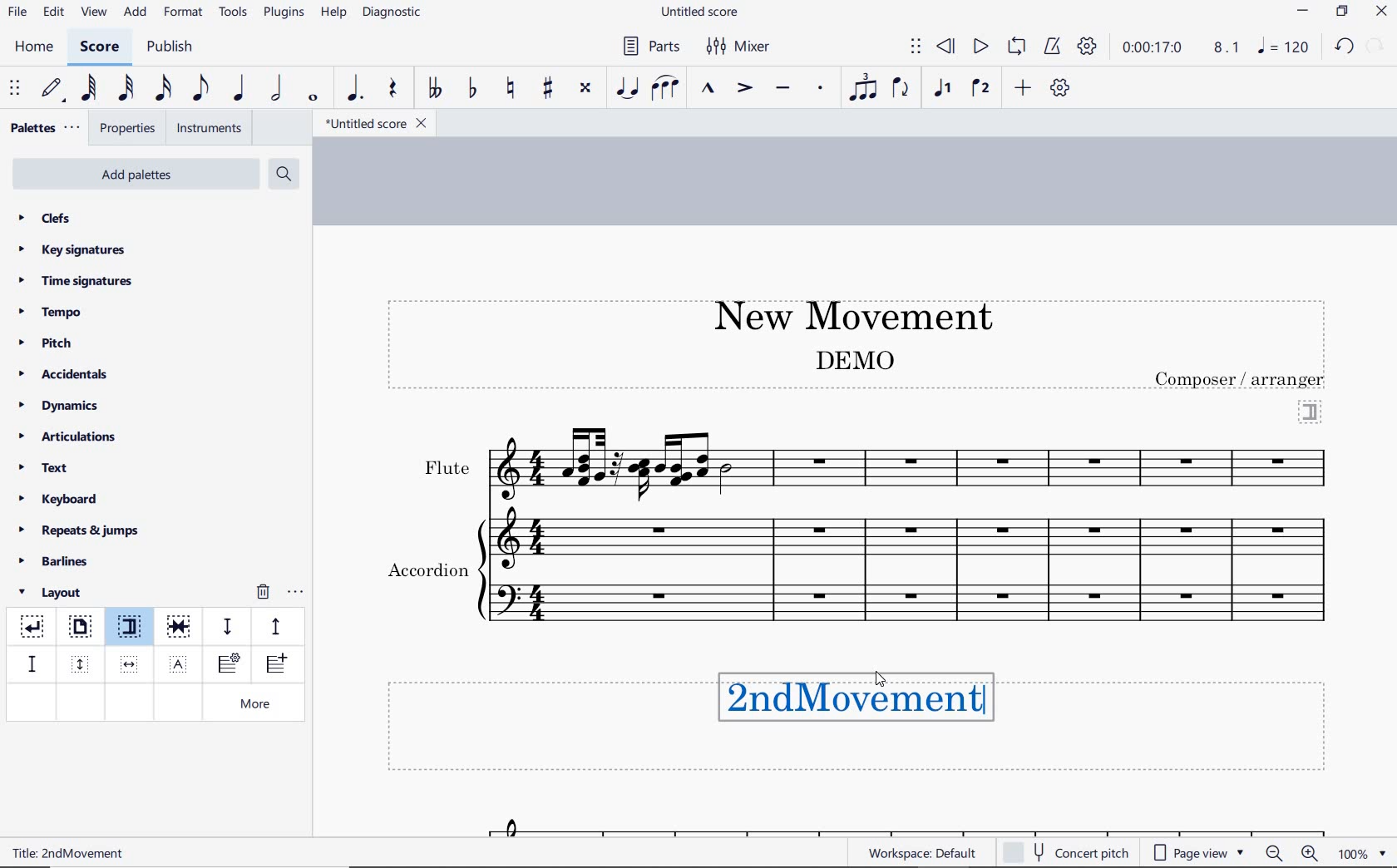 The image size is (1397, 868). What do you see at coordinates (1068, 851) in the screenshot?
I see `concert pitch` at bounding box center [1068, 851].